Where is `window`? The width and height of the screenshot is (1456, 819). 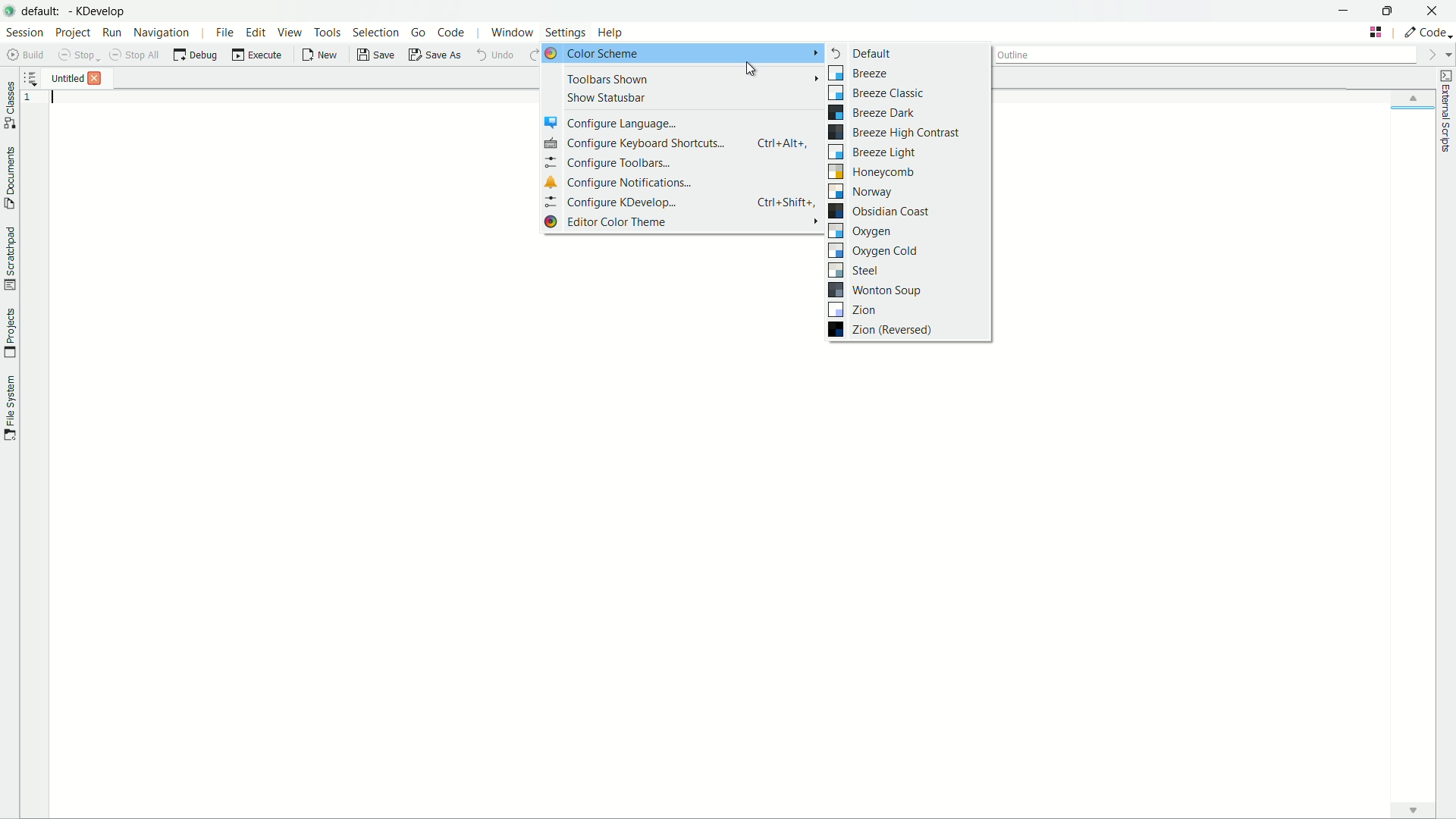
window is located at coordinates (513, 34).